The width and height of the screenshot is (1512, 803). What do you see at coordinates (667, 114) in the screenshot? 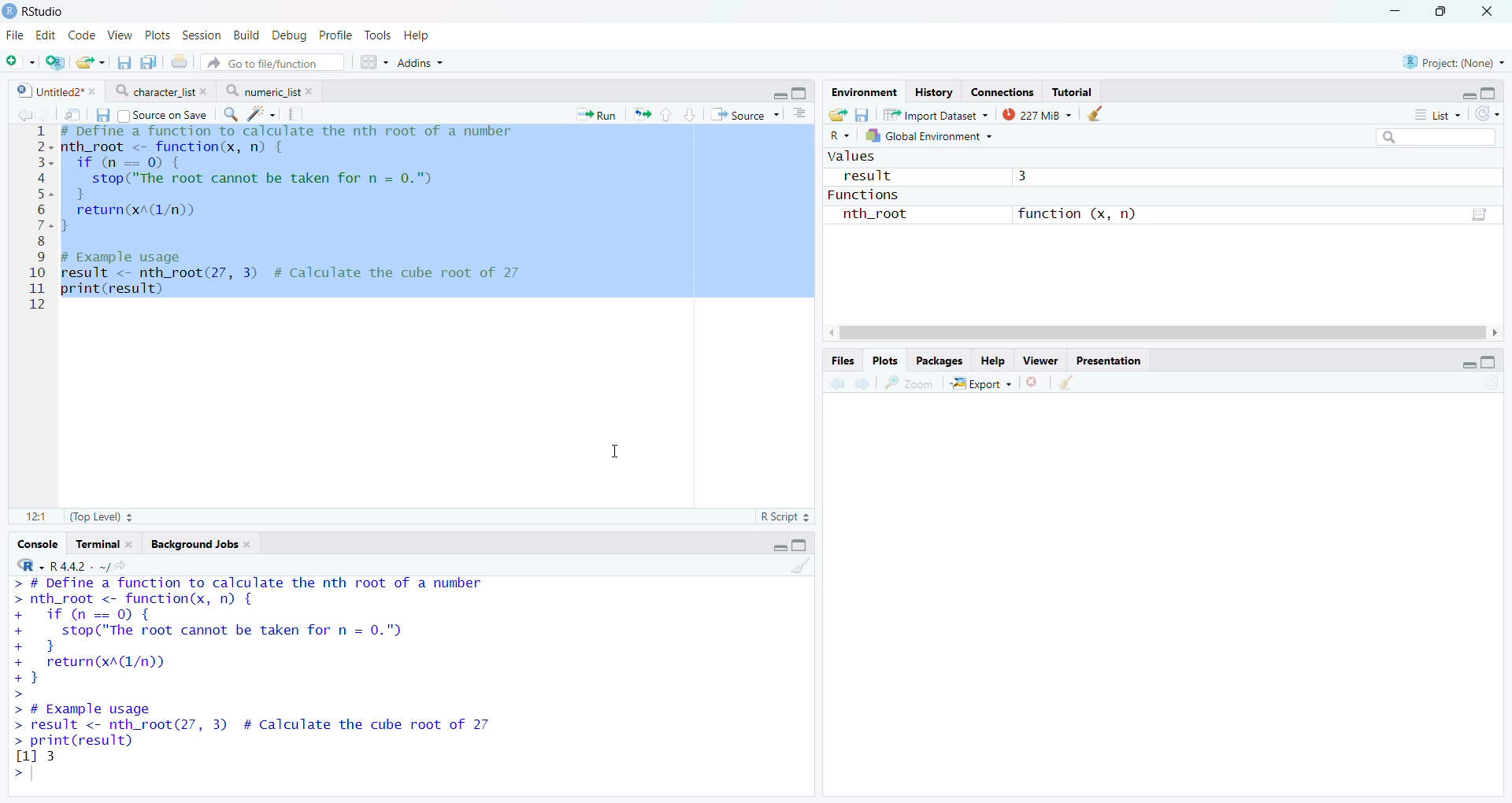
I see `Go to previous section` at bounding box center [667, 114].